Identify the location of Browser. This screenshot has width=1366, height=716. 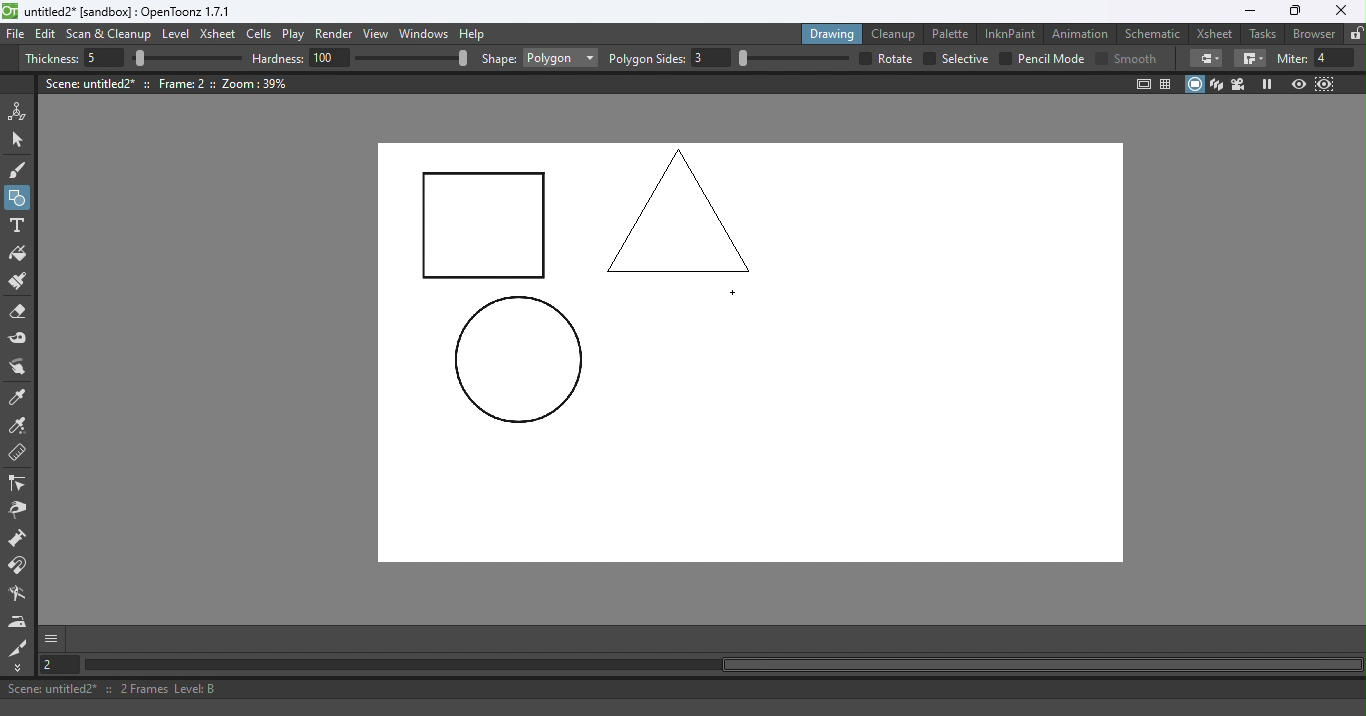
(1311, 33).